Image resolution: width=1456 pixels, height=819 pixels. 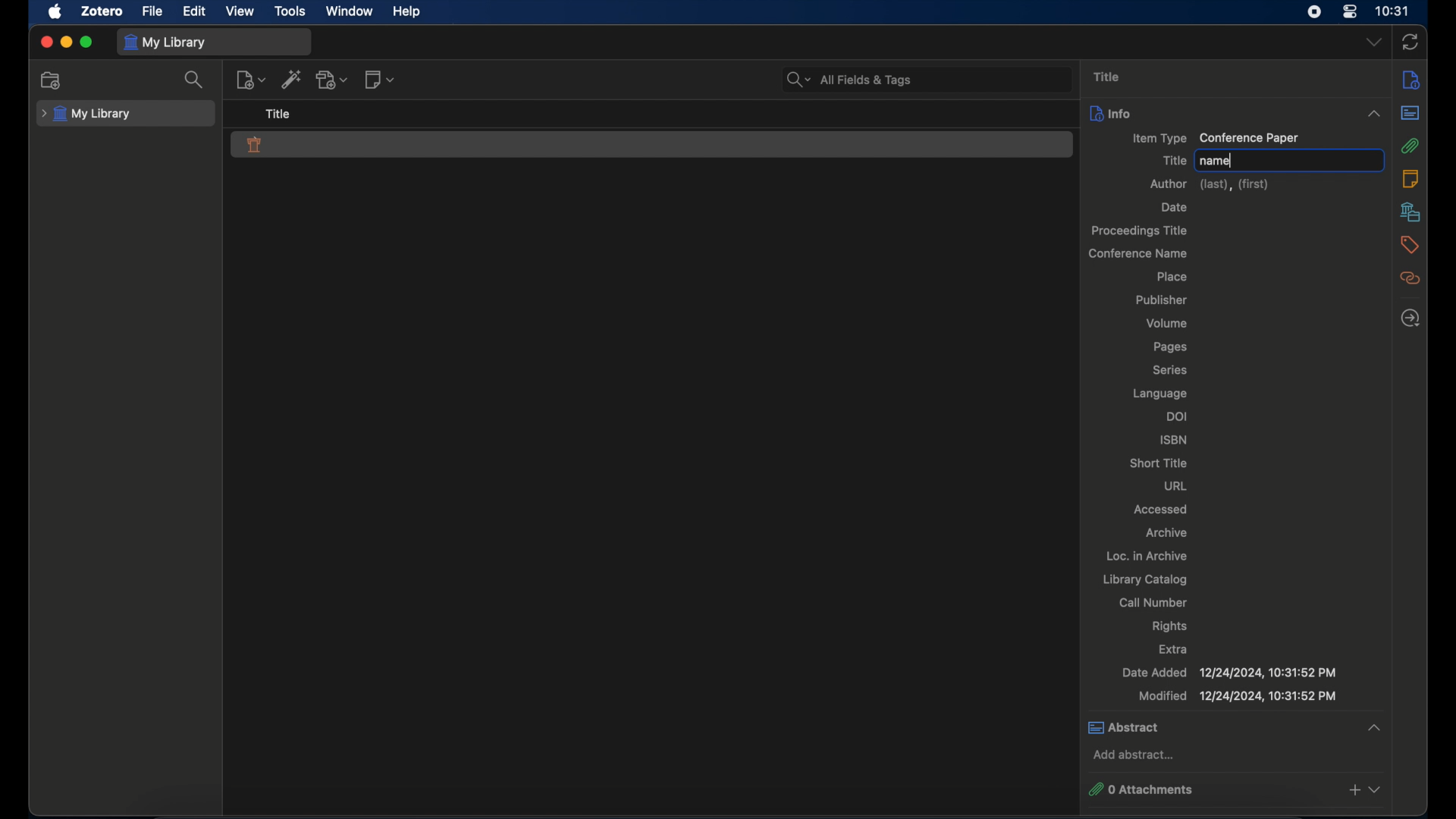 What do you see at coordinates (1153, 603) in the screenshot?
I see `call number` at bounding box center [1153, 603].